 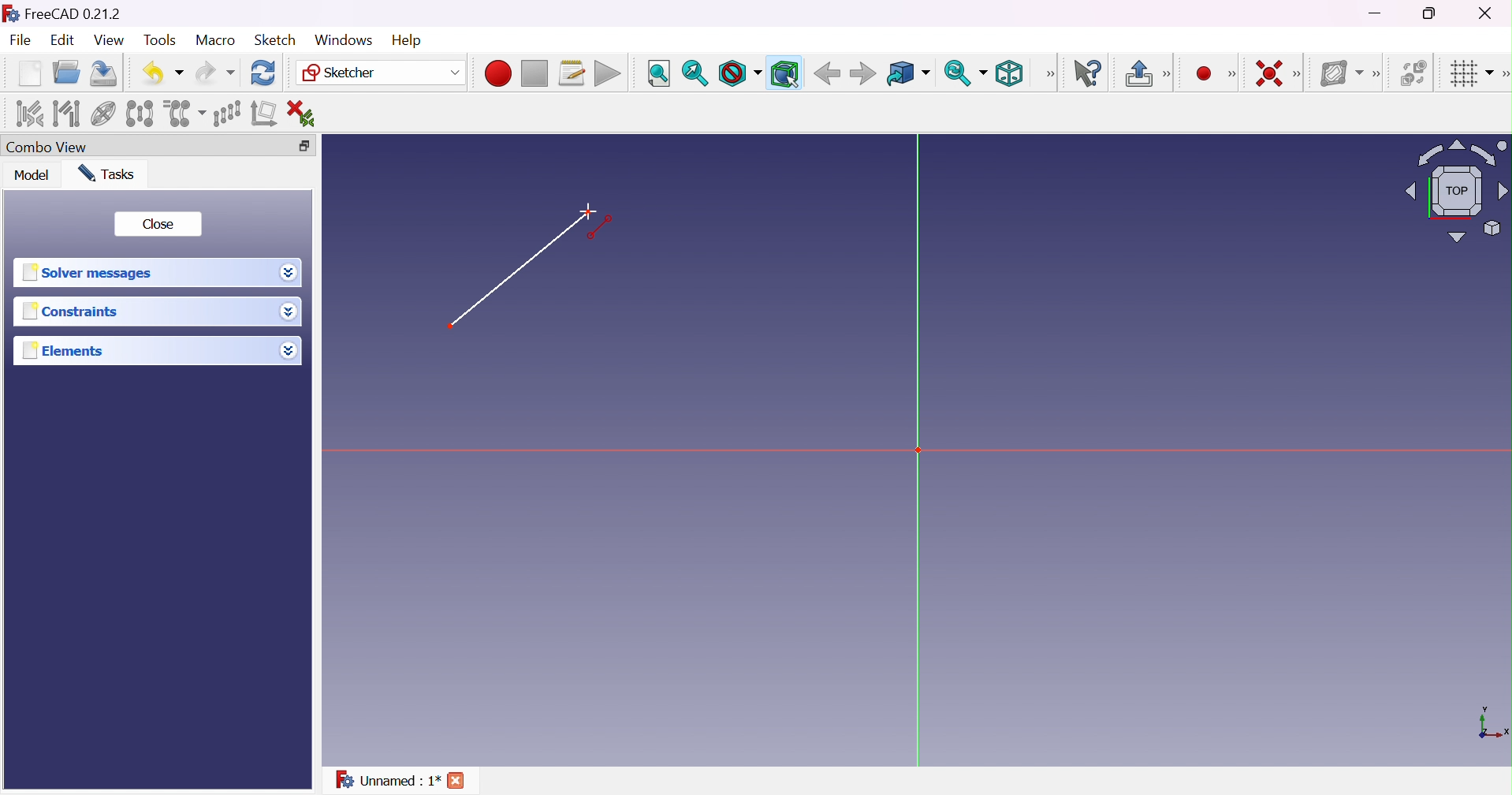 What do you see at coordinates (264, 115) in the screenshot?
I see `Remove axes alignment` at bounding box center [264, 115].